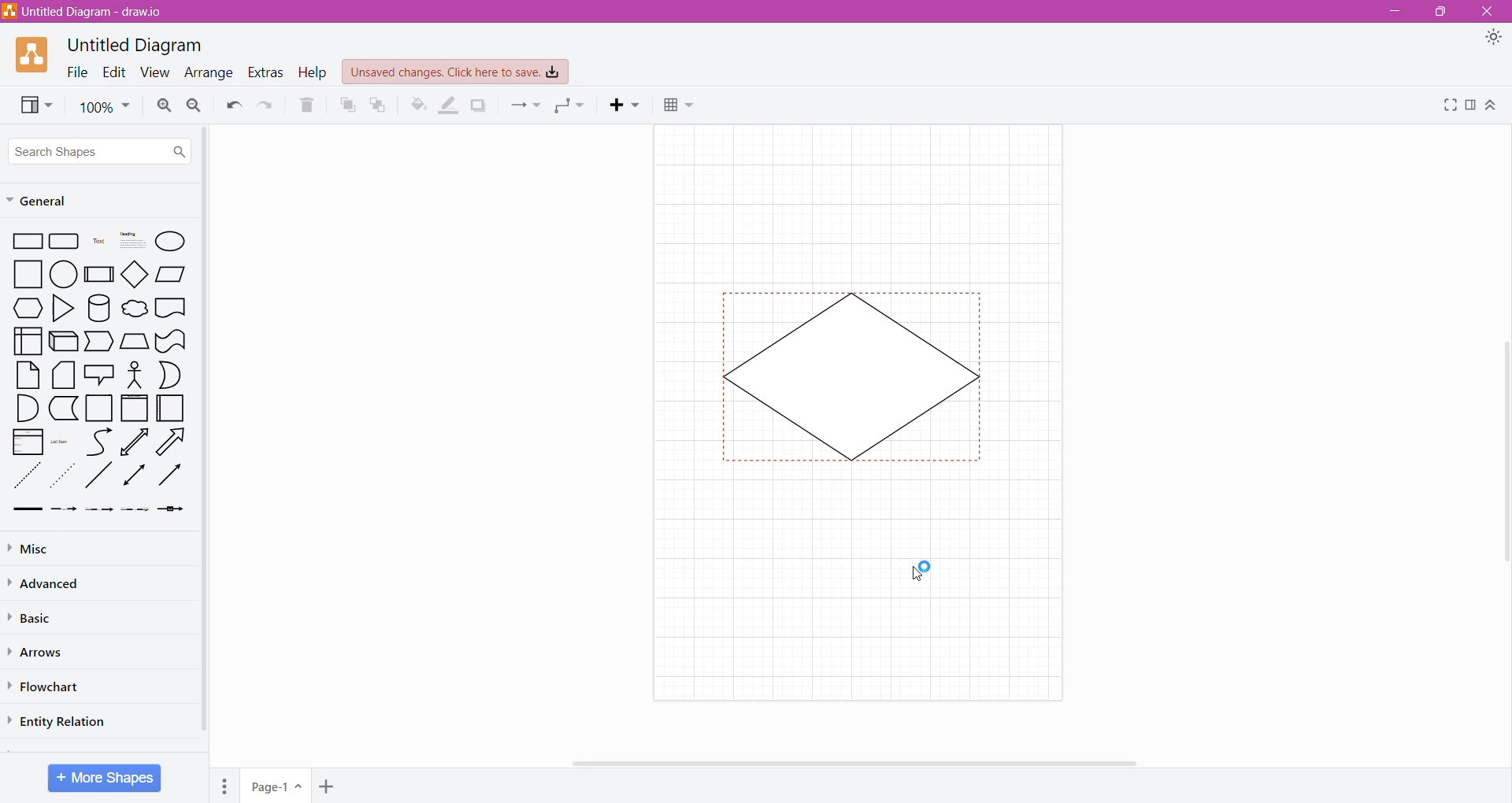  I want to click on Help, so click(313, 73).